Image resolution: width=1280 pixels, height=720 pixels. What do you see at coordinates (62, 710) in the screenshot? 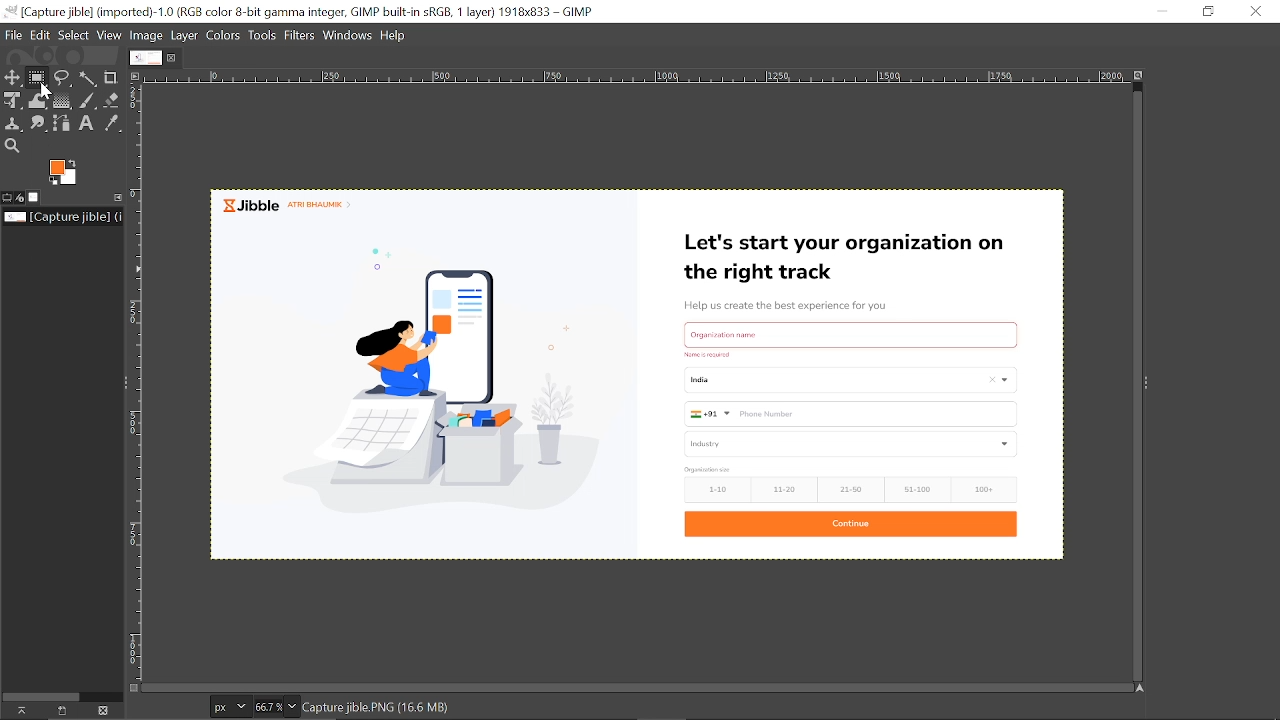
I see `Create a new display for this image` at bounding box center [62, 710].